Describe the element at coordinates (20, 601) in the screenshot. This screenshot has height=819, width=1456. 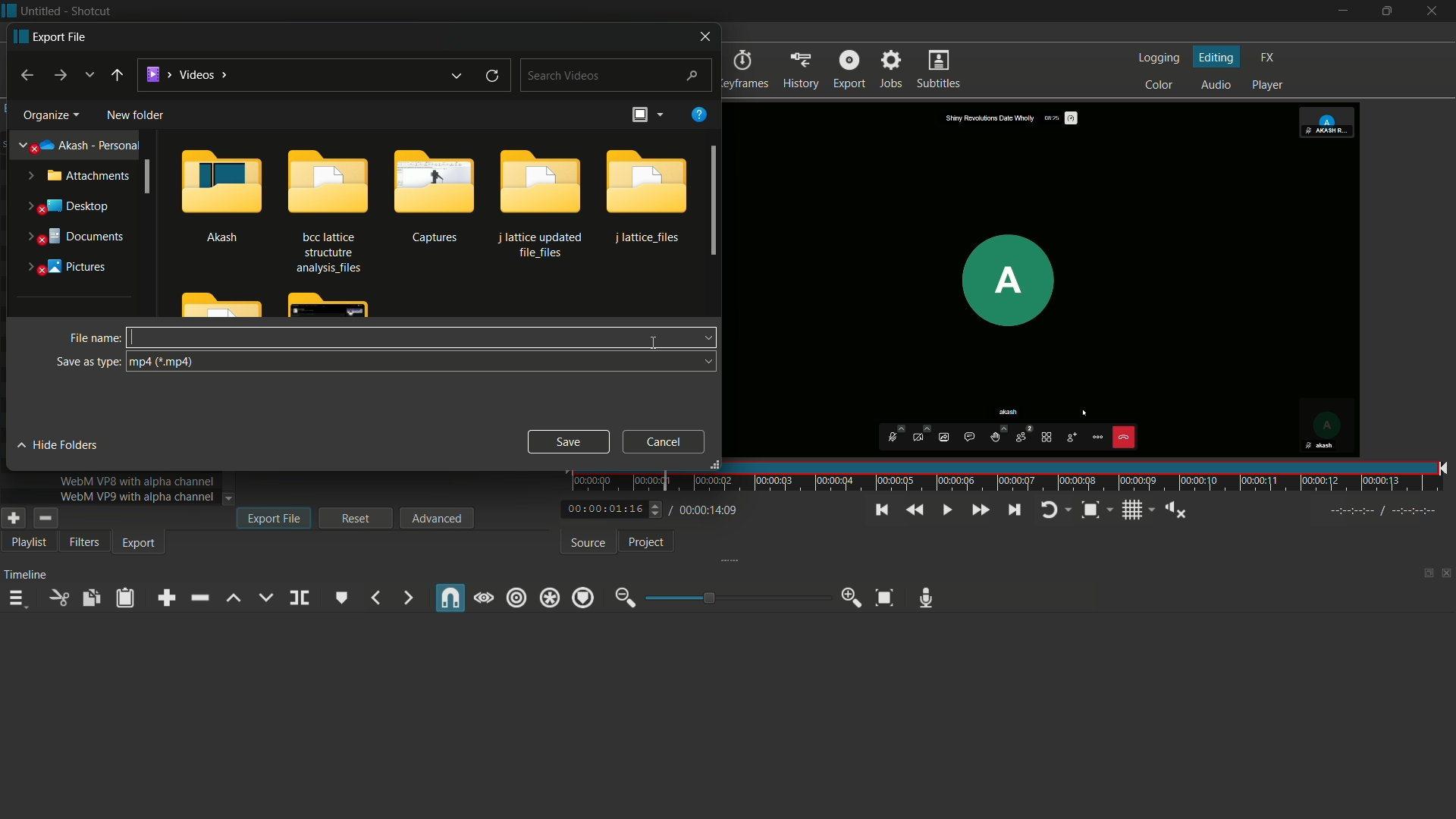
I see `timeline menu` at that location.